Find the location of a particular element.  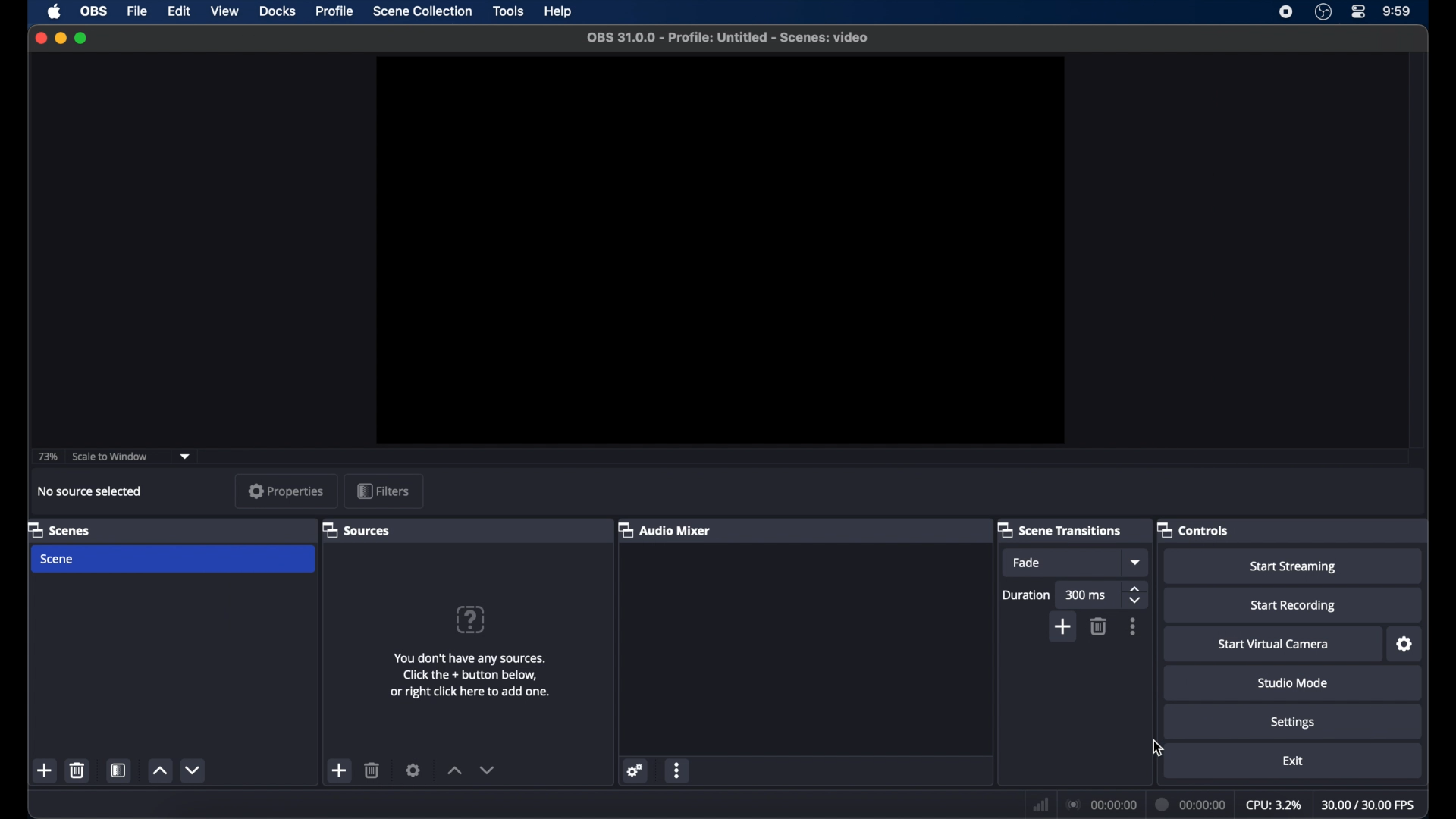

start recording is located at coordinates (1294, 606).